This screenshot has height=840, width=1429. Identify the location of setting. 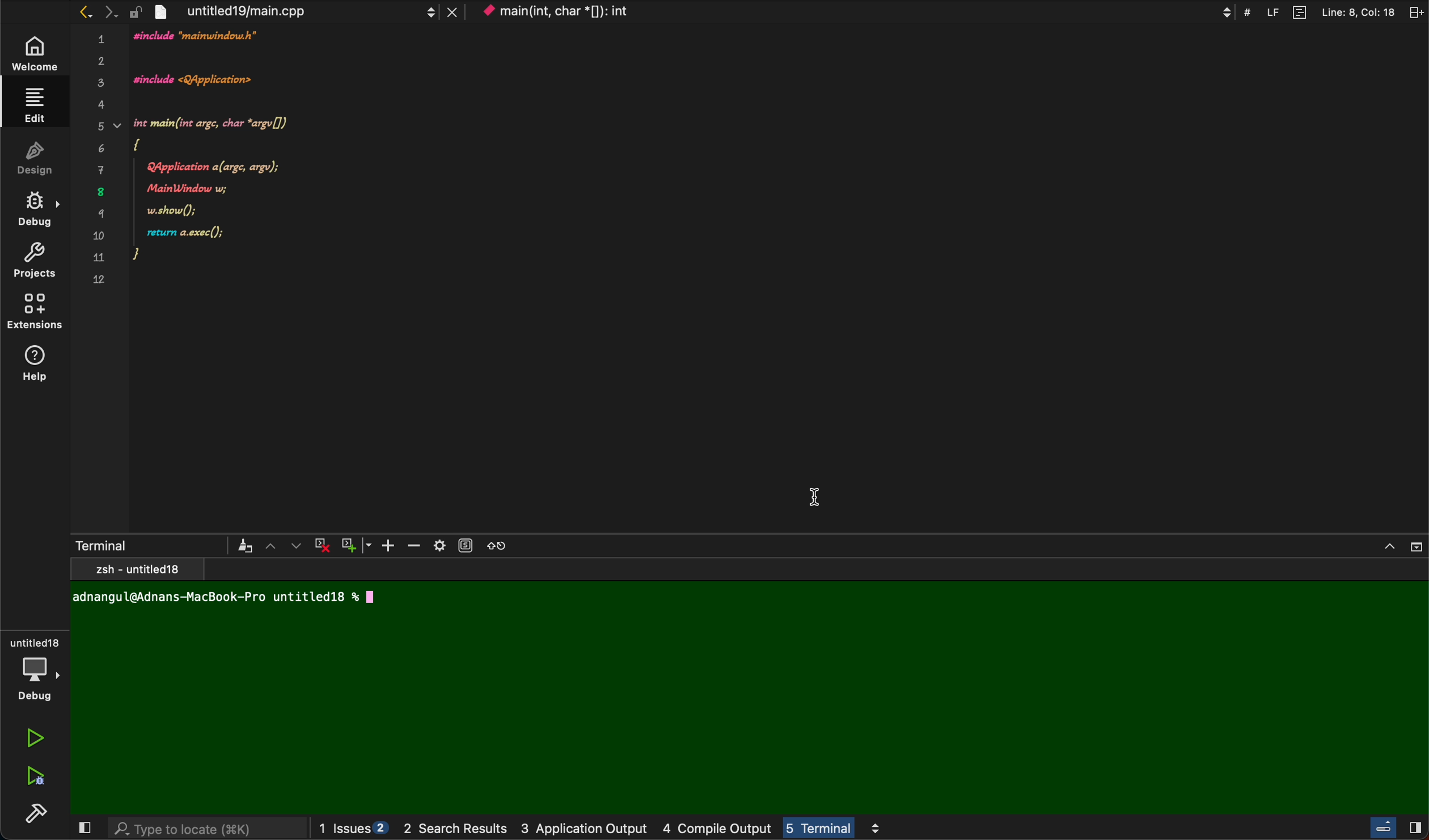
(450, 546).